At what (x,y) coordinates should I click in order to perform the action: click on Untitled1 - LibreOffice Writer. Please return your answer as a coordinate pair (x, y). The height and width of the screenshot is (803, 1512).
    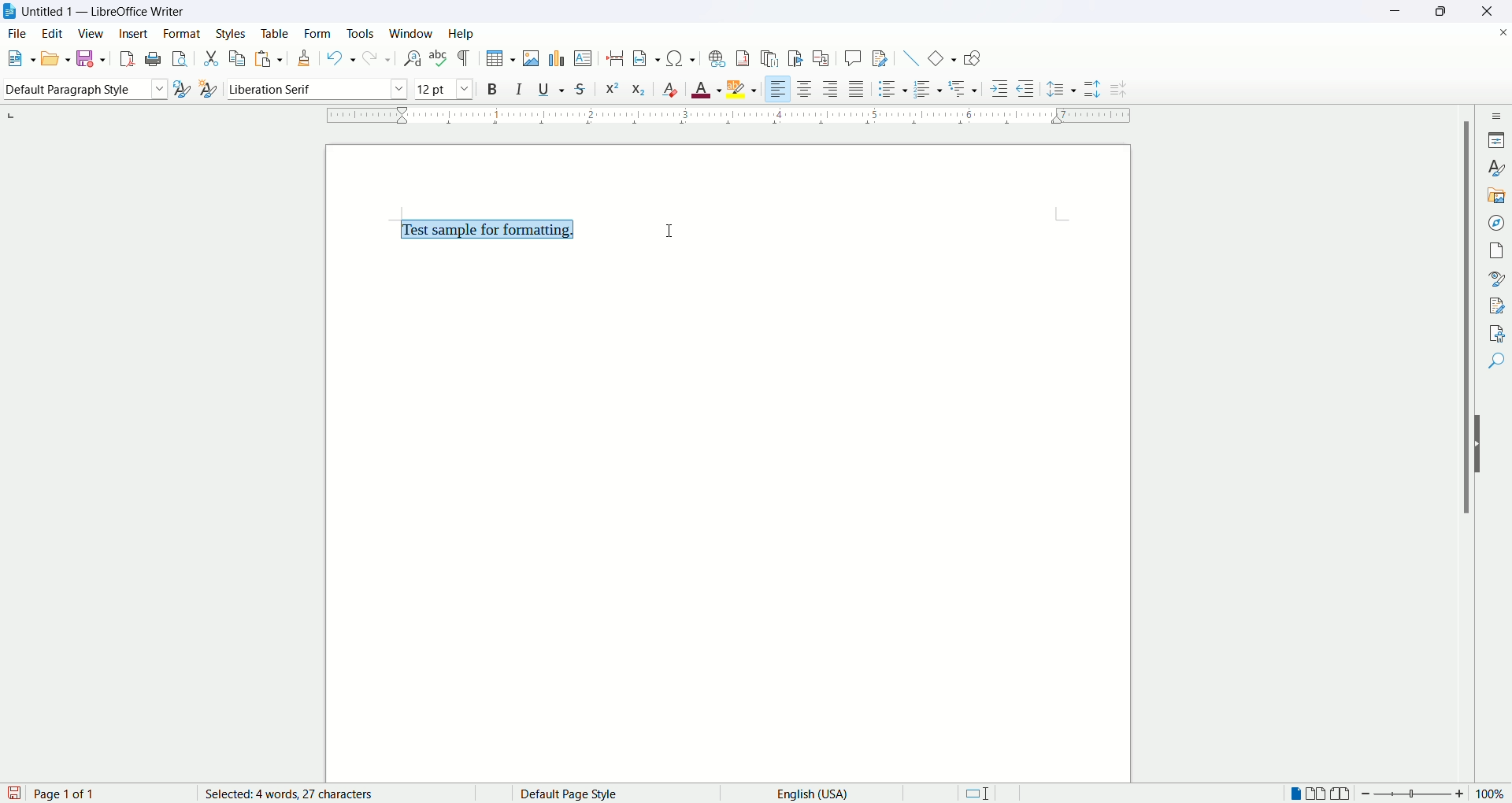
    Looking at the image, I should click on (106, 10).